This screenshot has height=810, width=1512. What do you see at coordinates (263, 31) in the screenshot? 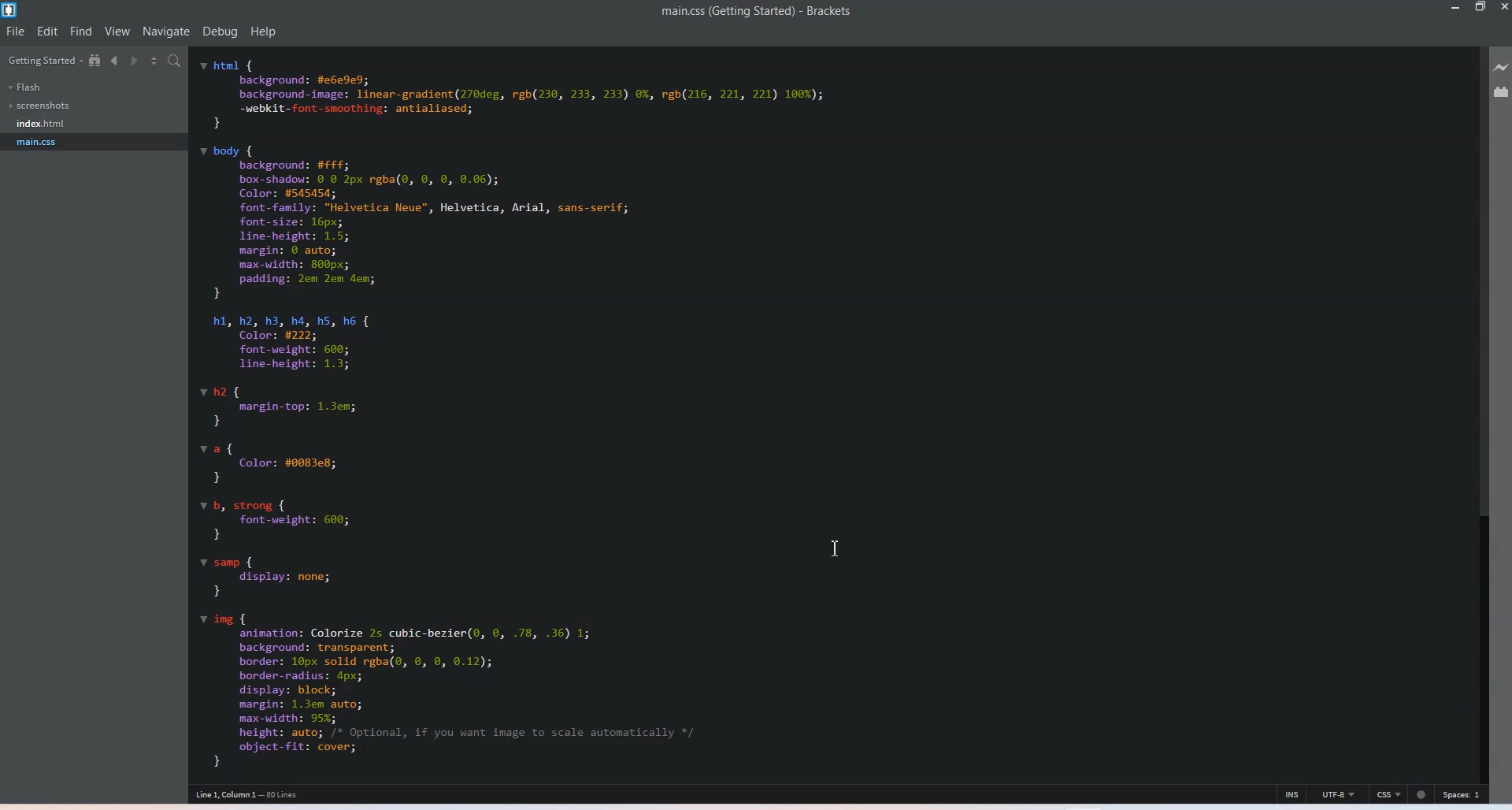
I see `Help` at bounding box center [263, 31].